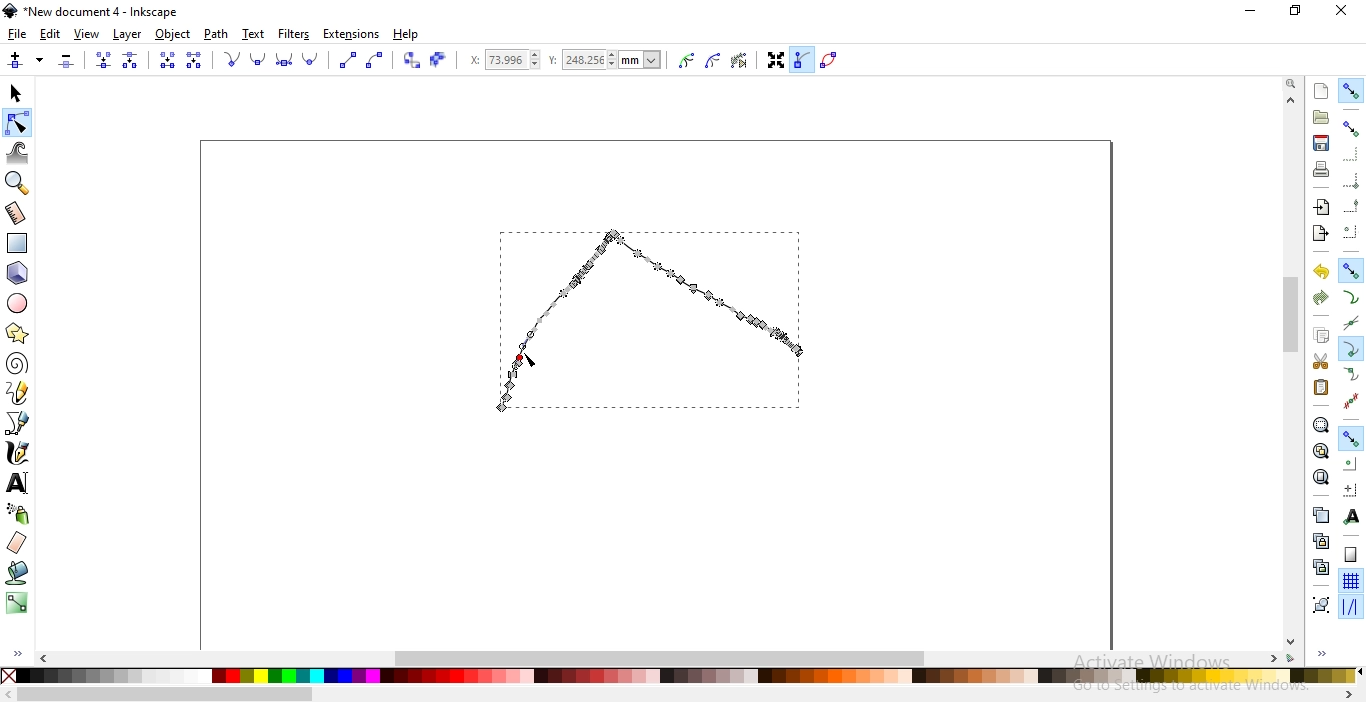 Image resolution: width=1366 pixels, height=702 pixels. Describe the element at coordinates (1320, 169) in the screenshot. I see `print document` at that location.